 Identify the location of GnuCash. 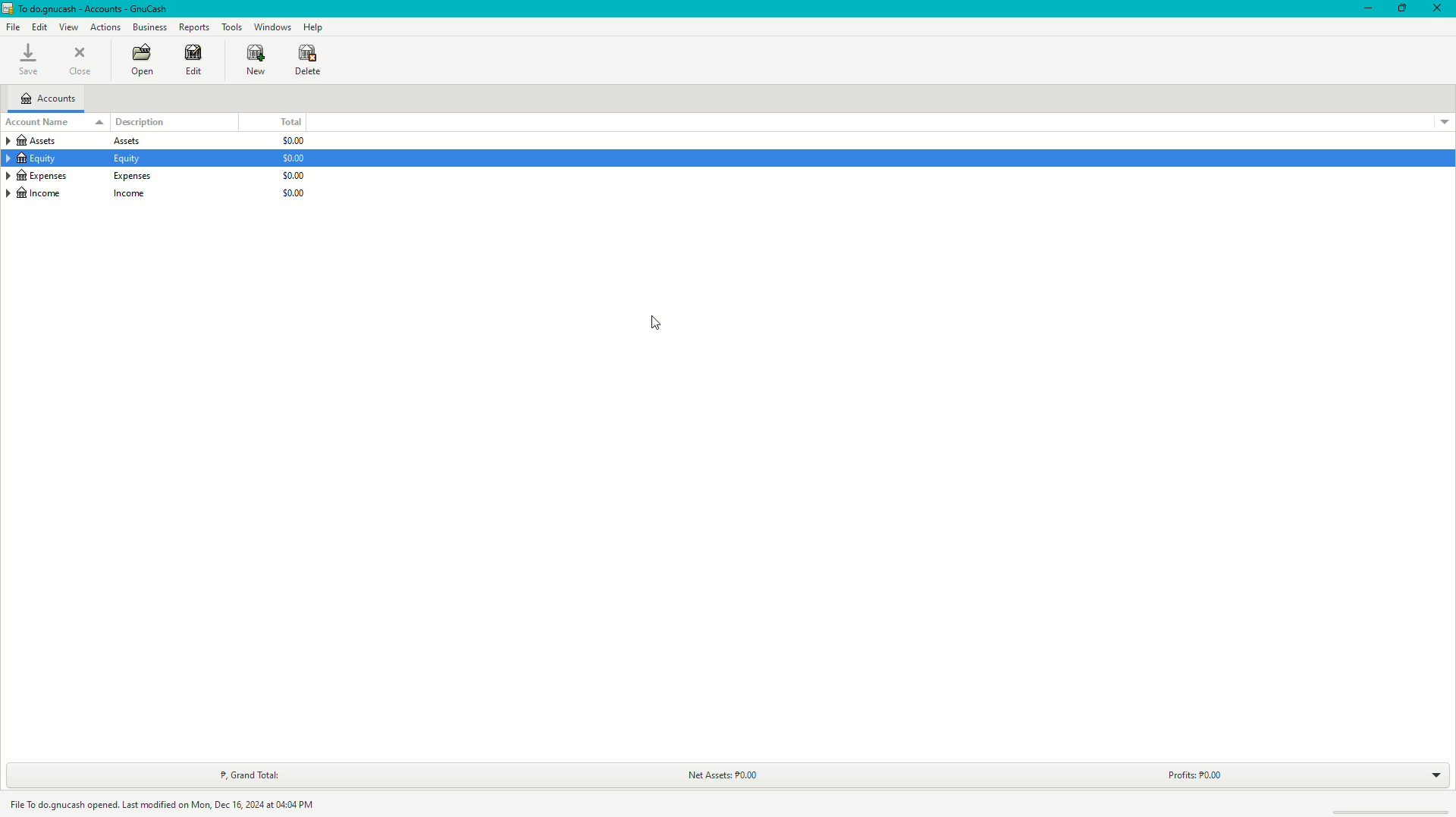
(86, 9).